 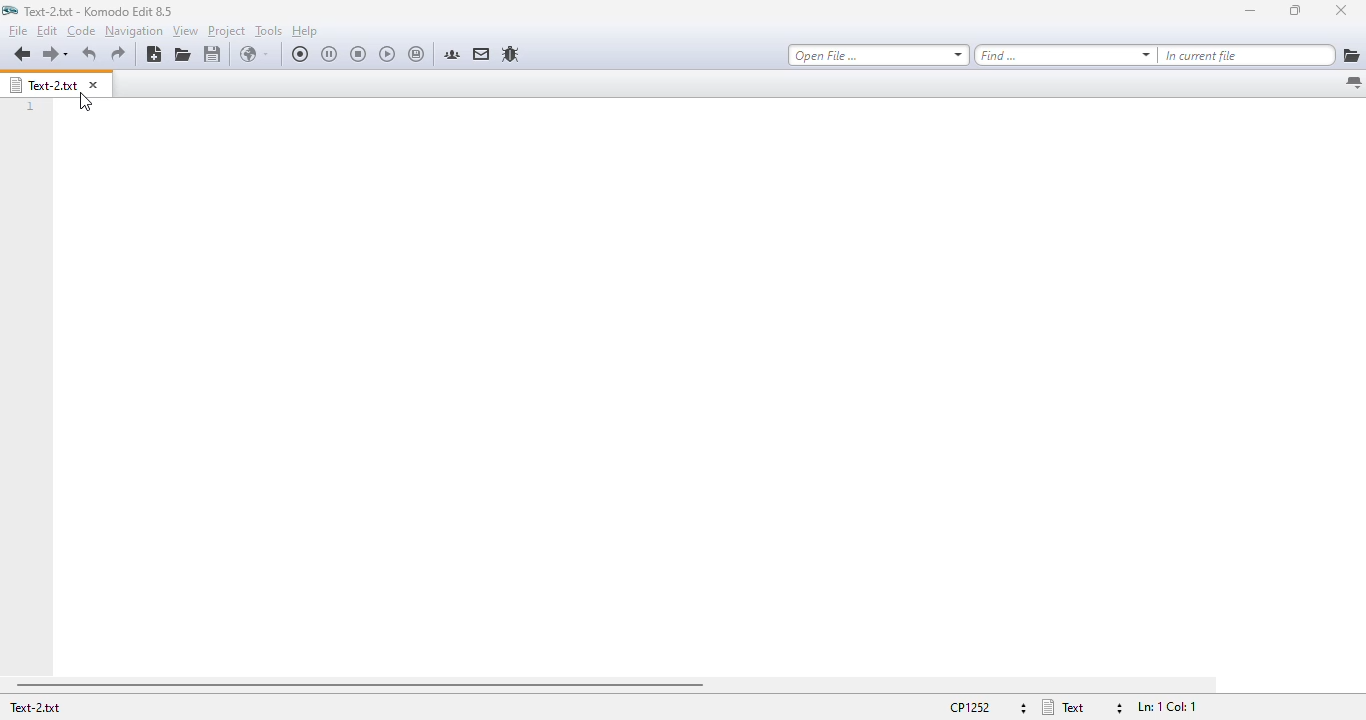 I want to click on komodo email lists, so click(x=482, y=54).